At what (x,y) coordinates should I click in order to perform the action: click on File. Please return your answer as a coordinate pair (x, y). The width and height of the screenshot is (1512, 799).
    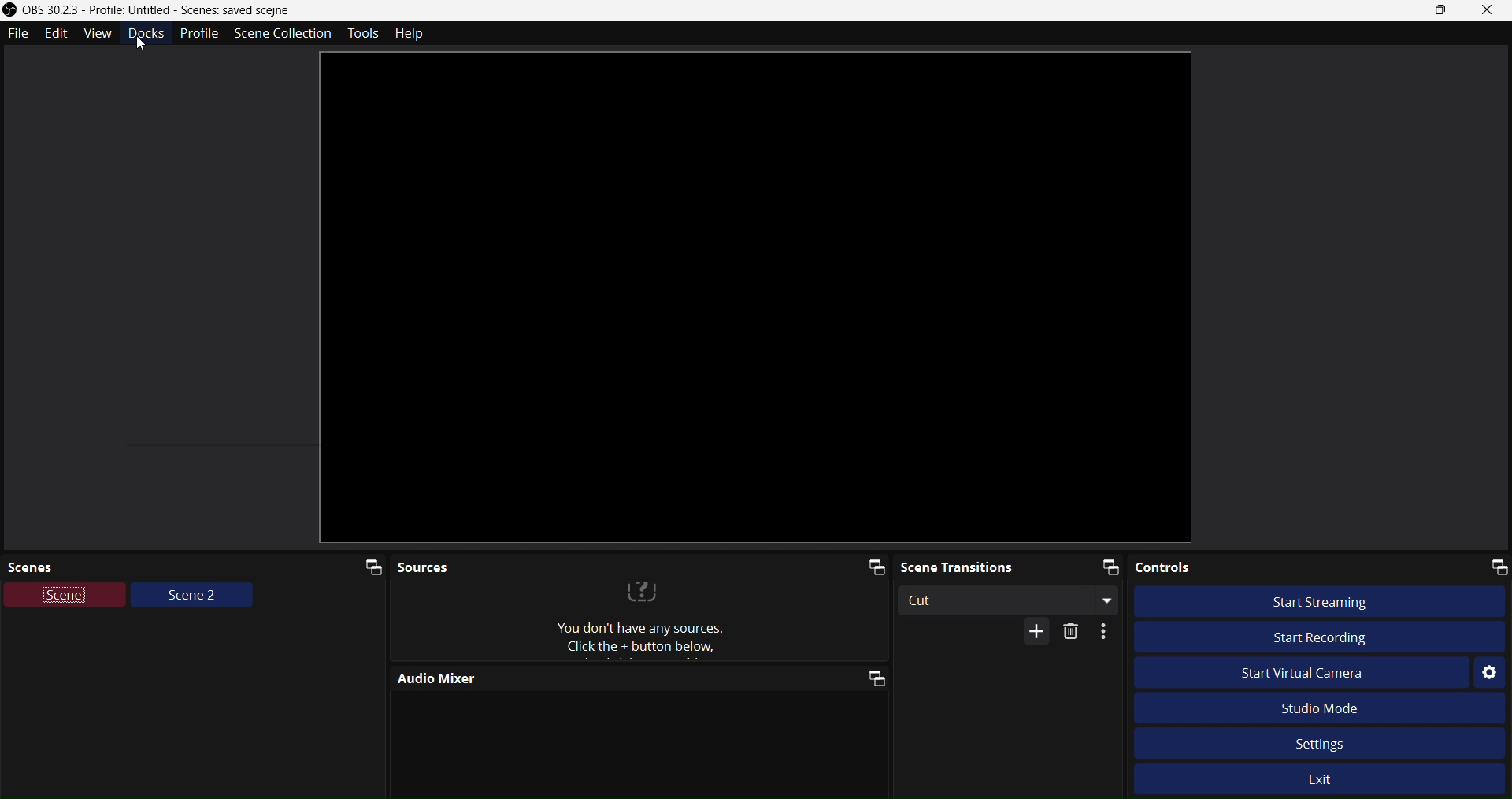
    Looking at the image, I should click on (18, 34).